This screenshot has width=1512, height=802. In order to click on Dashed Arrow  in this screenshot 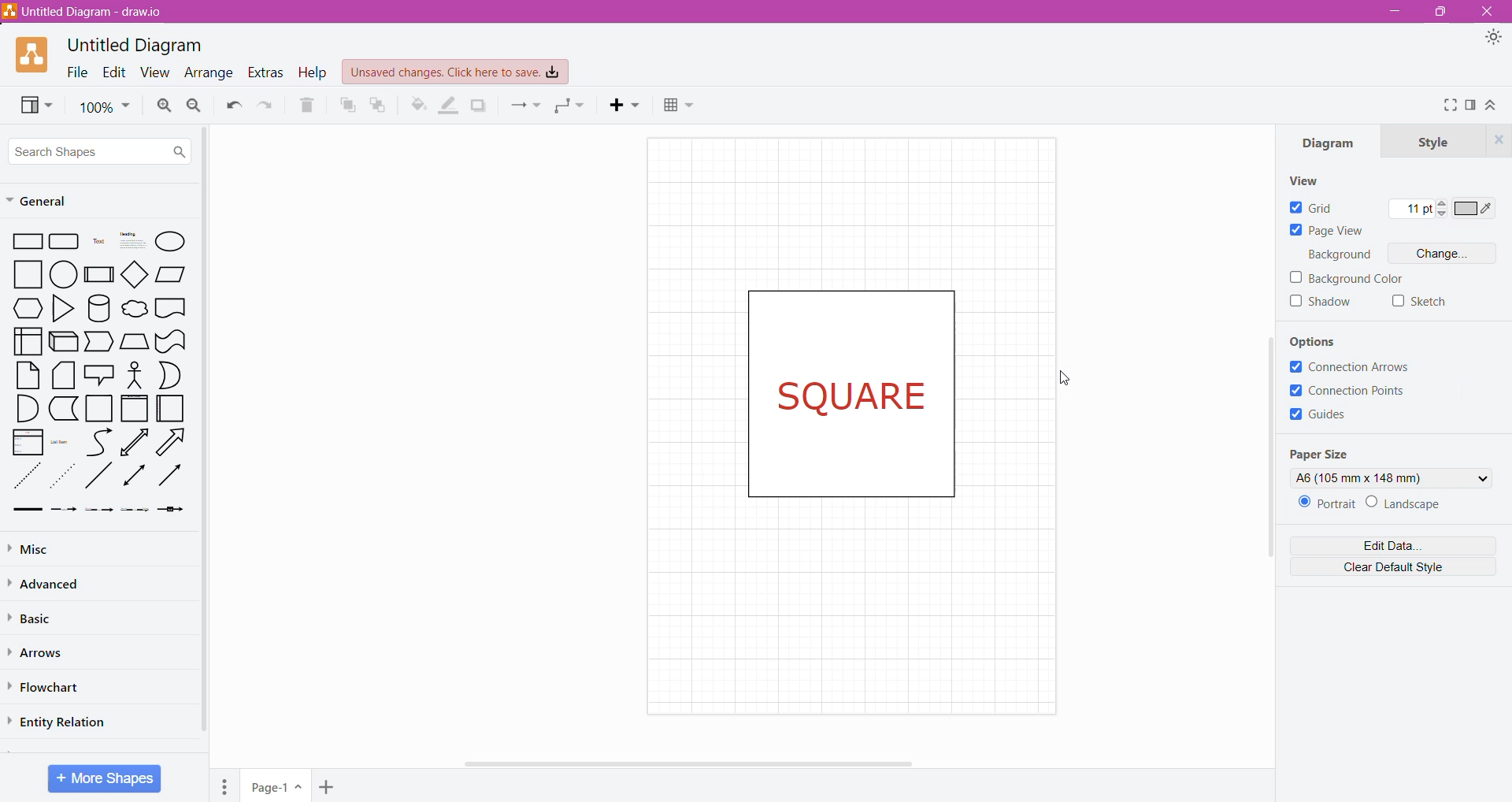, I will do `click(63, 508)`.